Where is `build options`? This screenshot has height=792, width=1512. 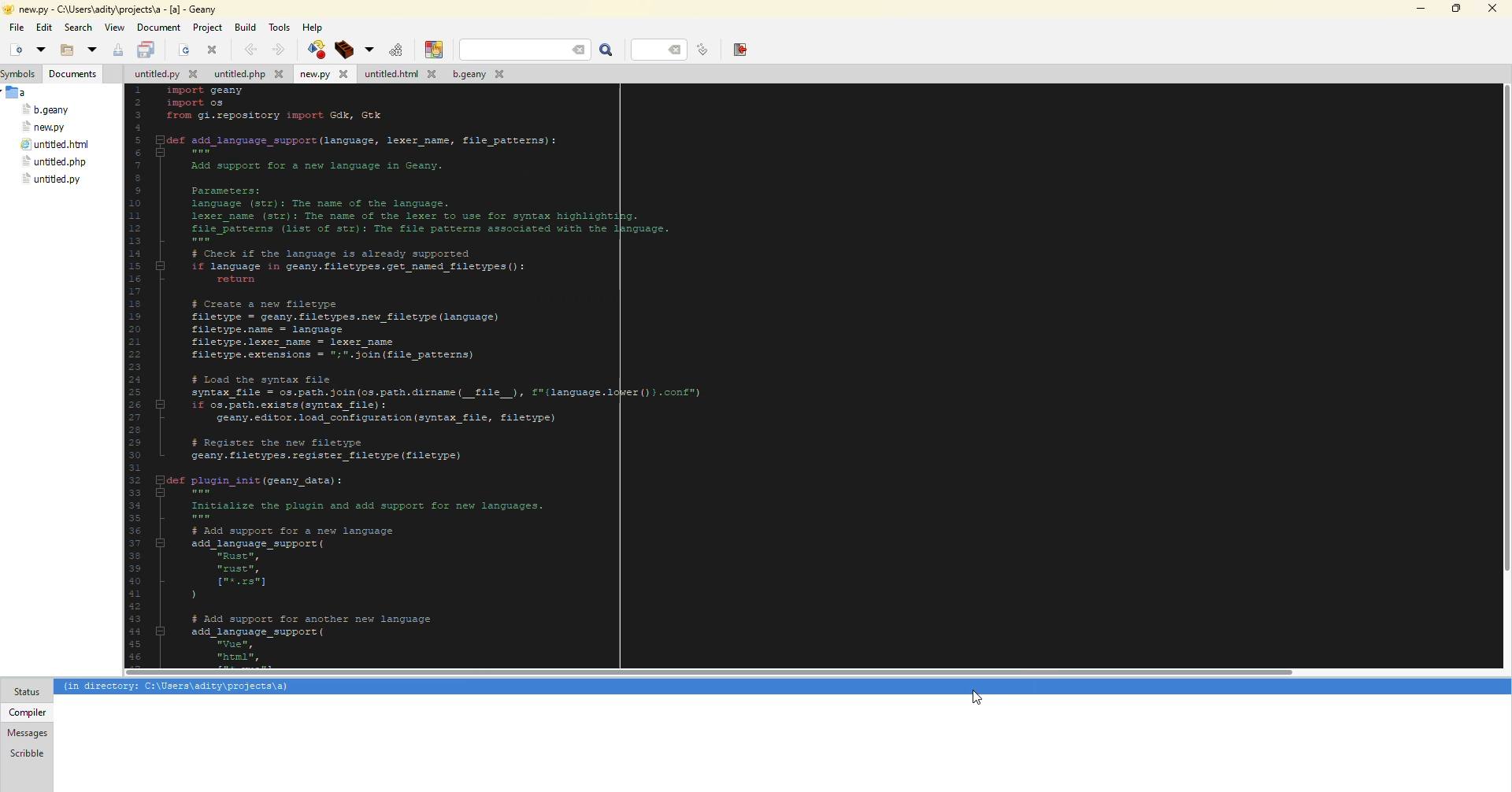 build options is located at coordinates (367, 50).